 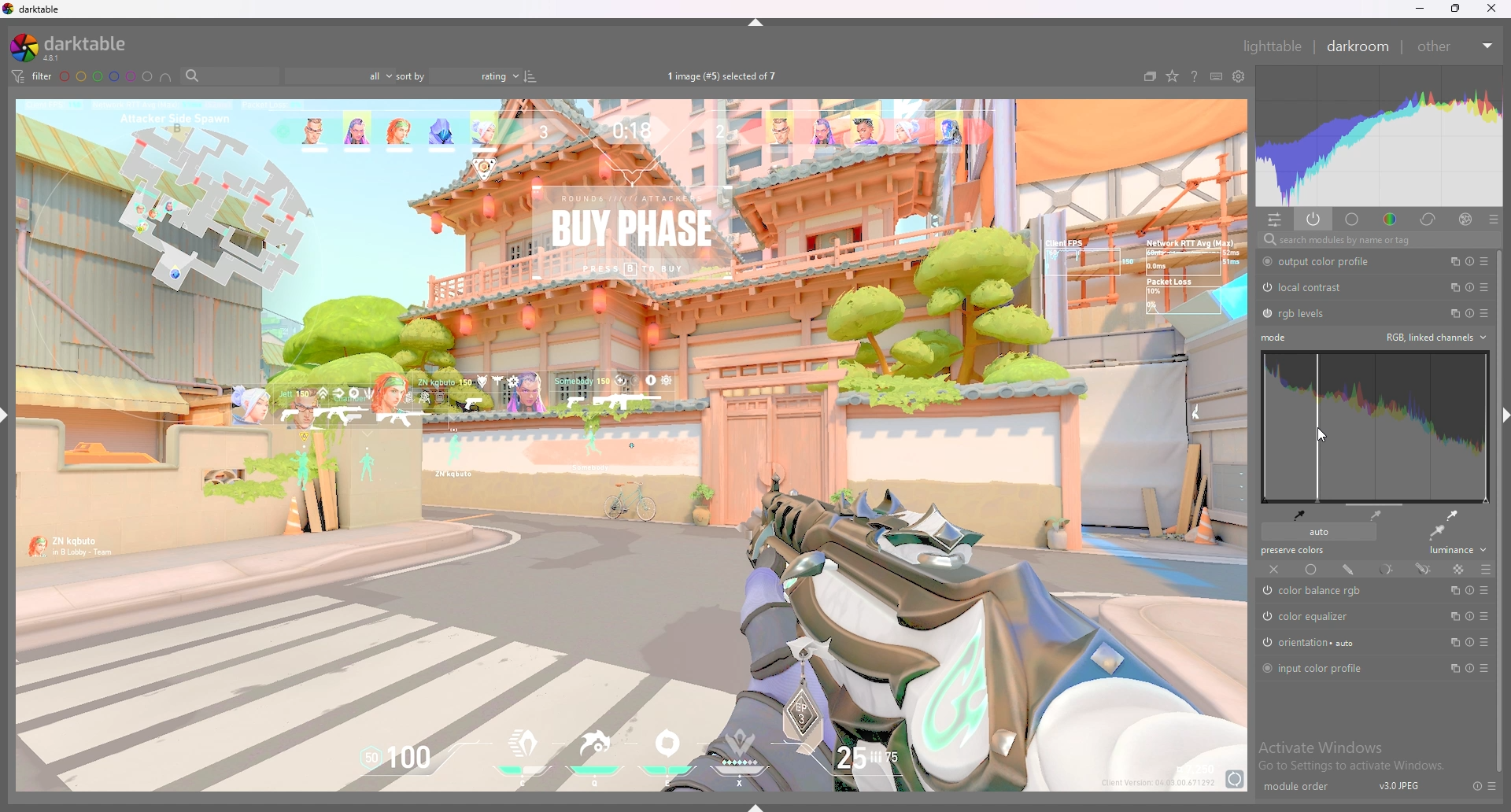 What do you see at coordinates (1317, 532) in the screenshot?
I see `auto` at bounding box center [1317, 532].